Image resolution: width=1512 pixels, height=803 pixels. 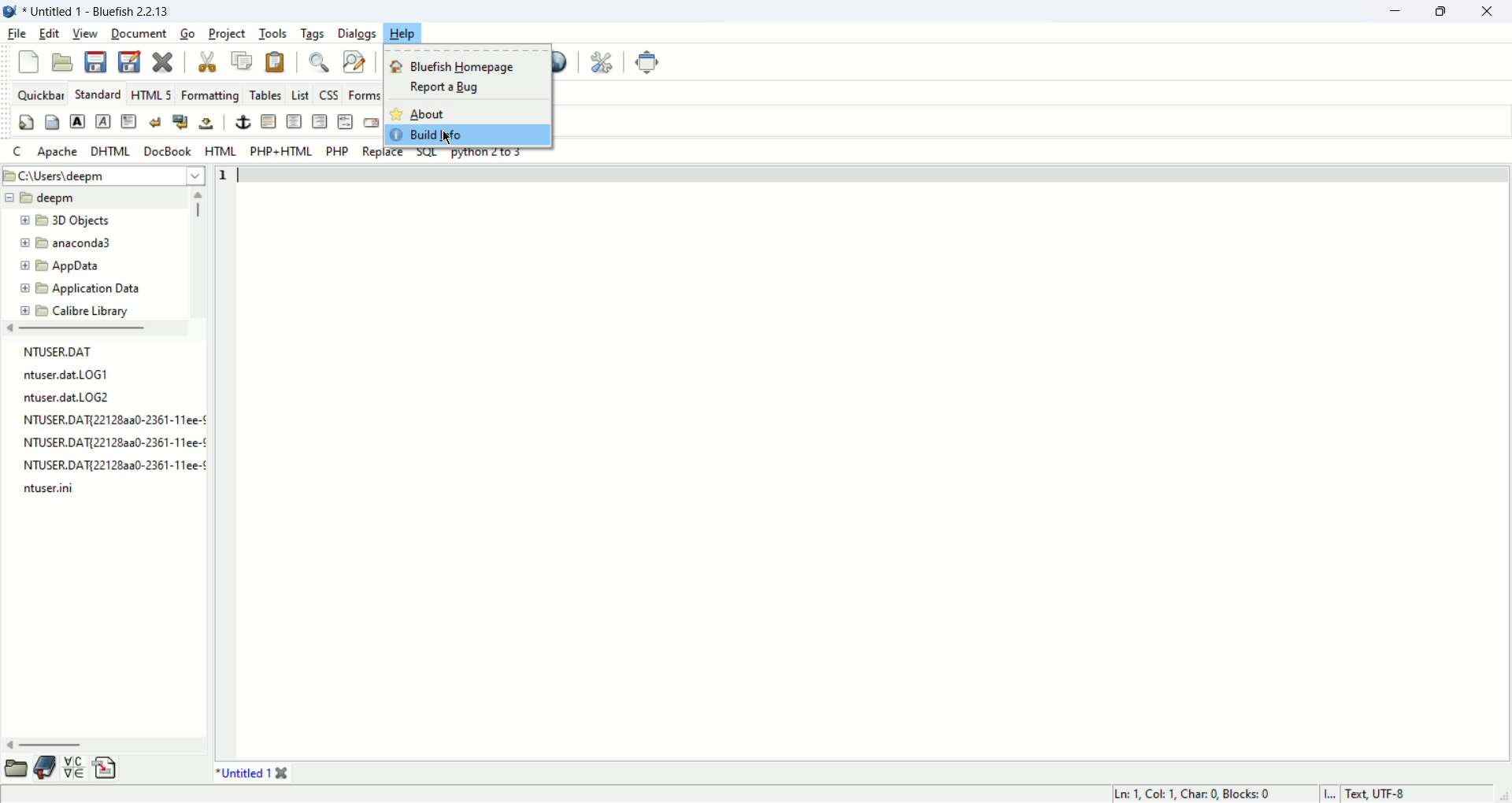 What do you see at coordinates (73, 310) in the screenshot?
I see `folder name` at bounding box center [73, 310].